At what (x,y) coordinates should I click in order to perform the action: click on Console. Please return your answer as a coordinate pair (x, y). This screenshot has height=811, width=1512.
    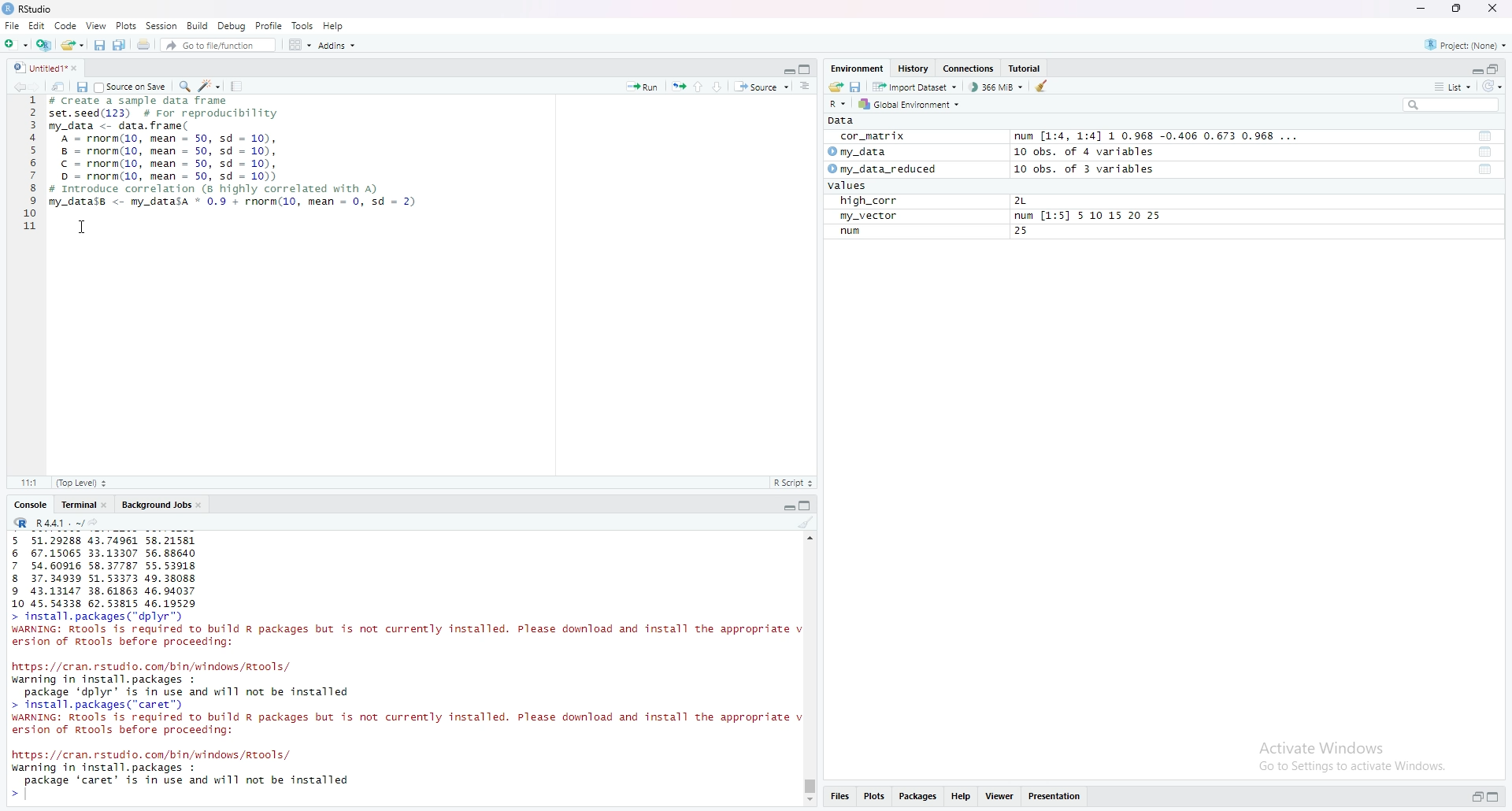
    Looking at the image, I should click on (31, 505).